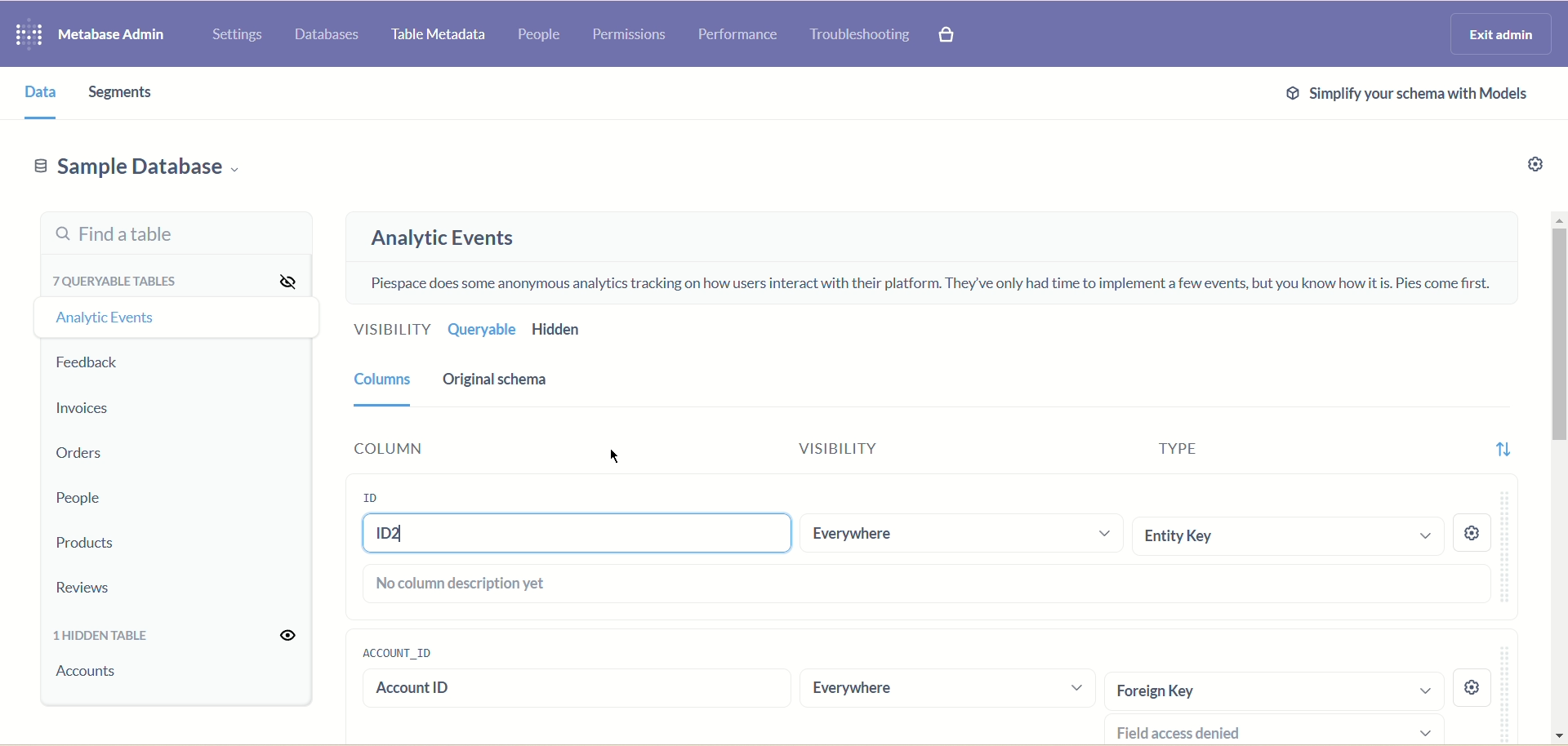 This screenshot has width=1568, height=746. Describe the element at coordinates (863, 36) in the screenshot. I see `Troubleshooting` at that location.